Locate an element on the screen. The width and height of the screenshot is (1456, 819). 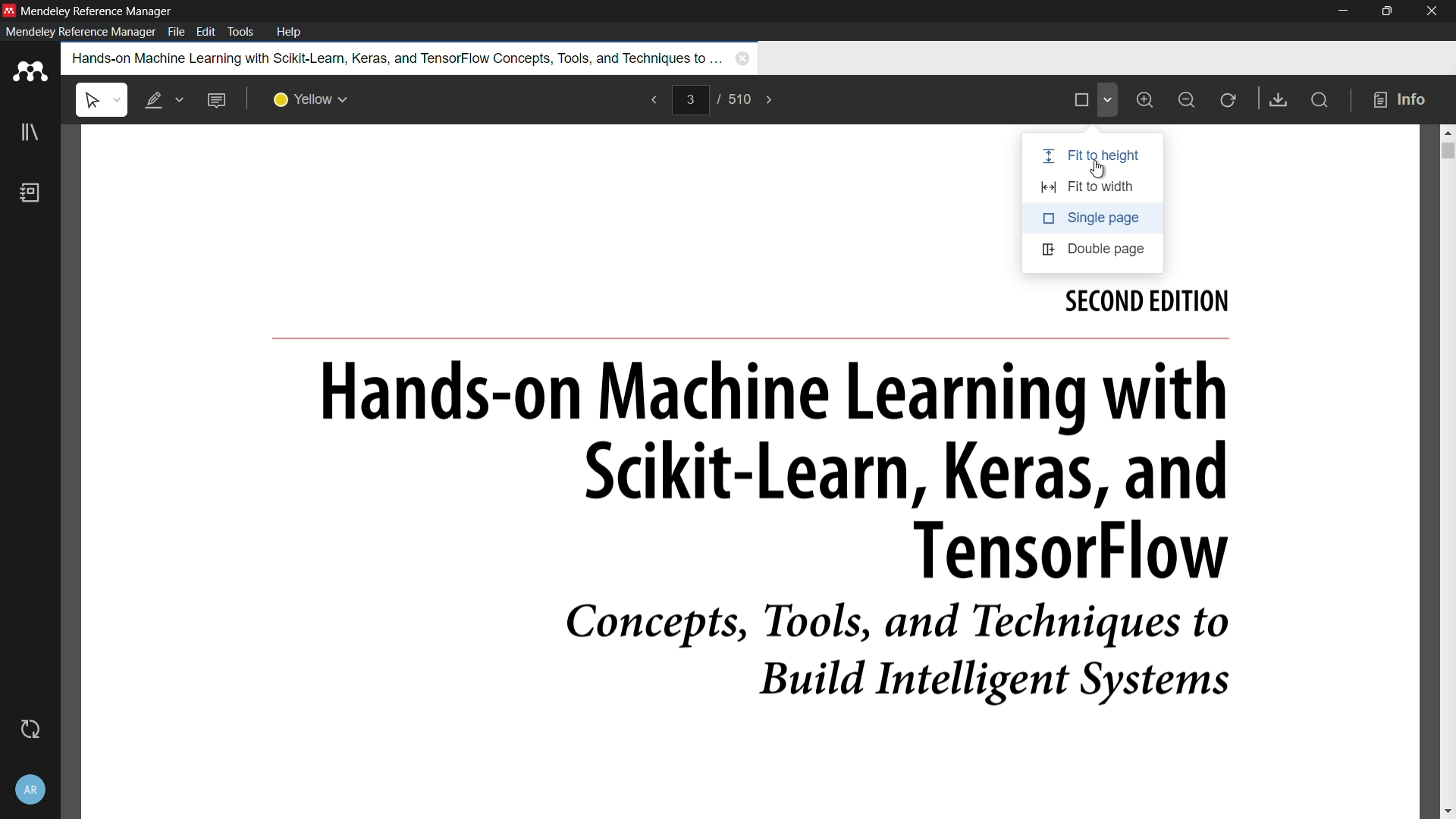
view mode dropdown is located at coordinates (1107, 99).